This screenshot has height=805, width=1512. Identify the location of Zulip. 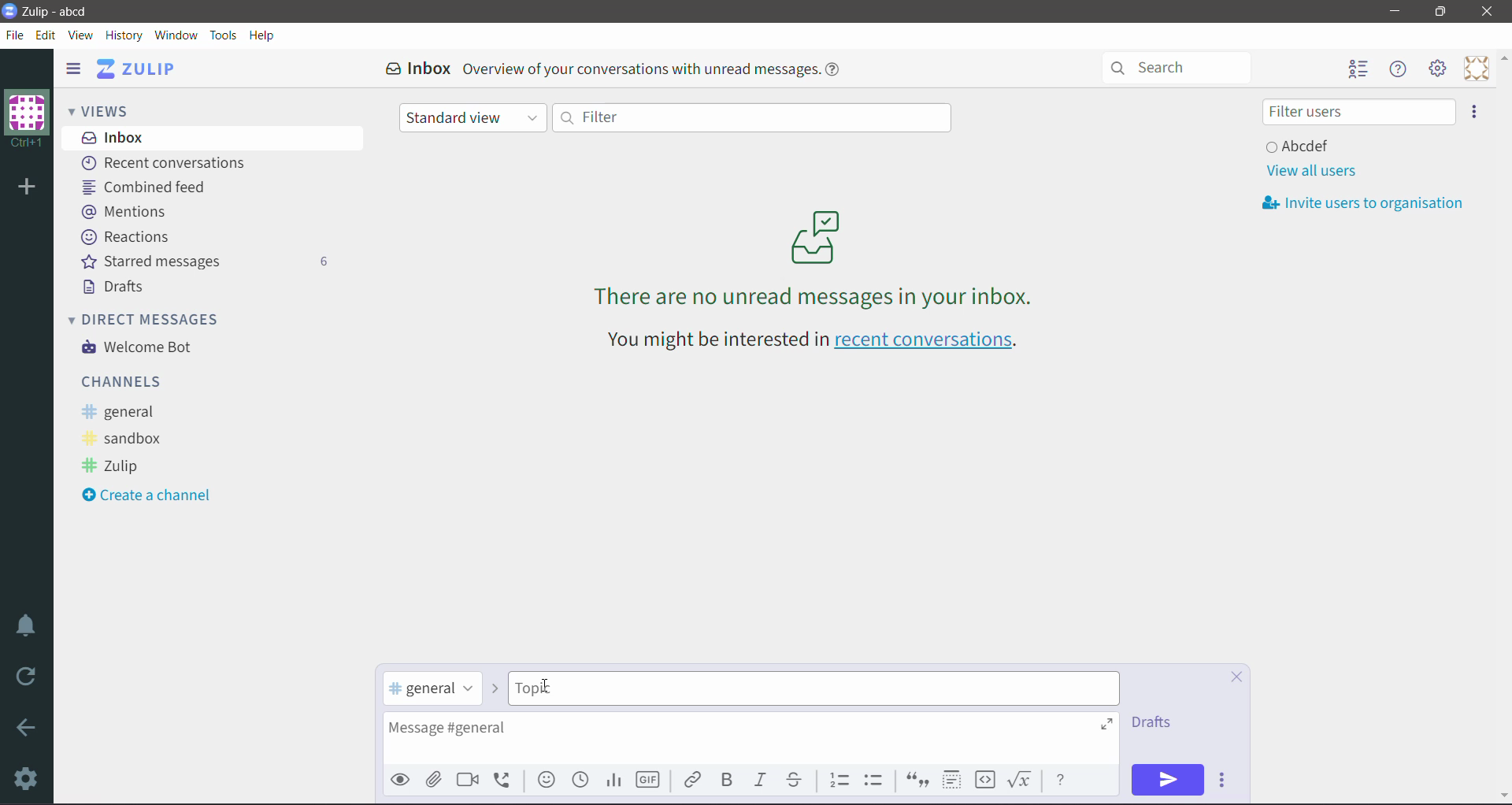
(115, 467).